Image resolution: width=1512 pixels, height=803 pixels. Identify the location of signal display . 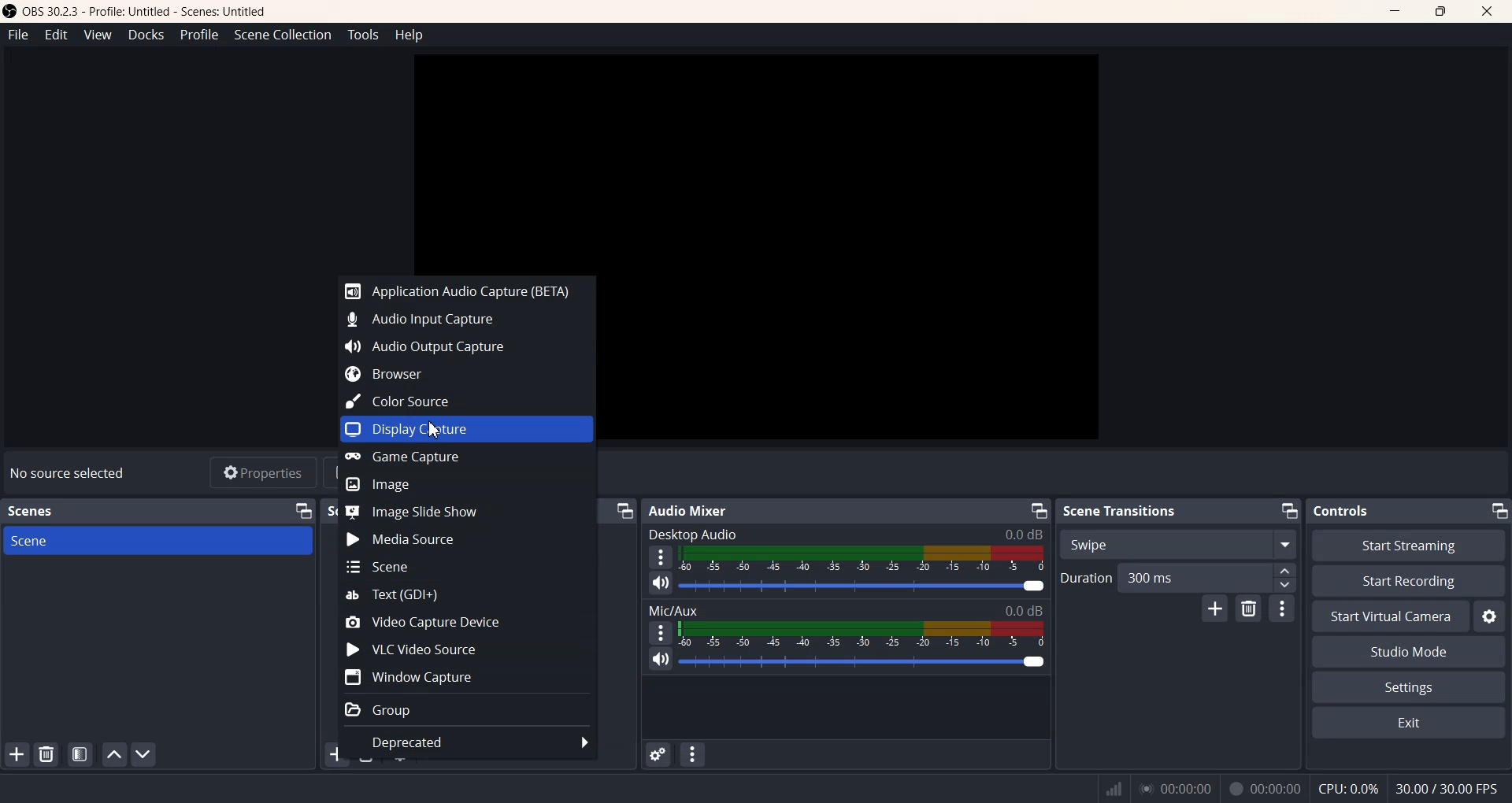
(1114, 792).